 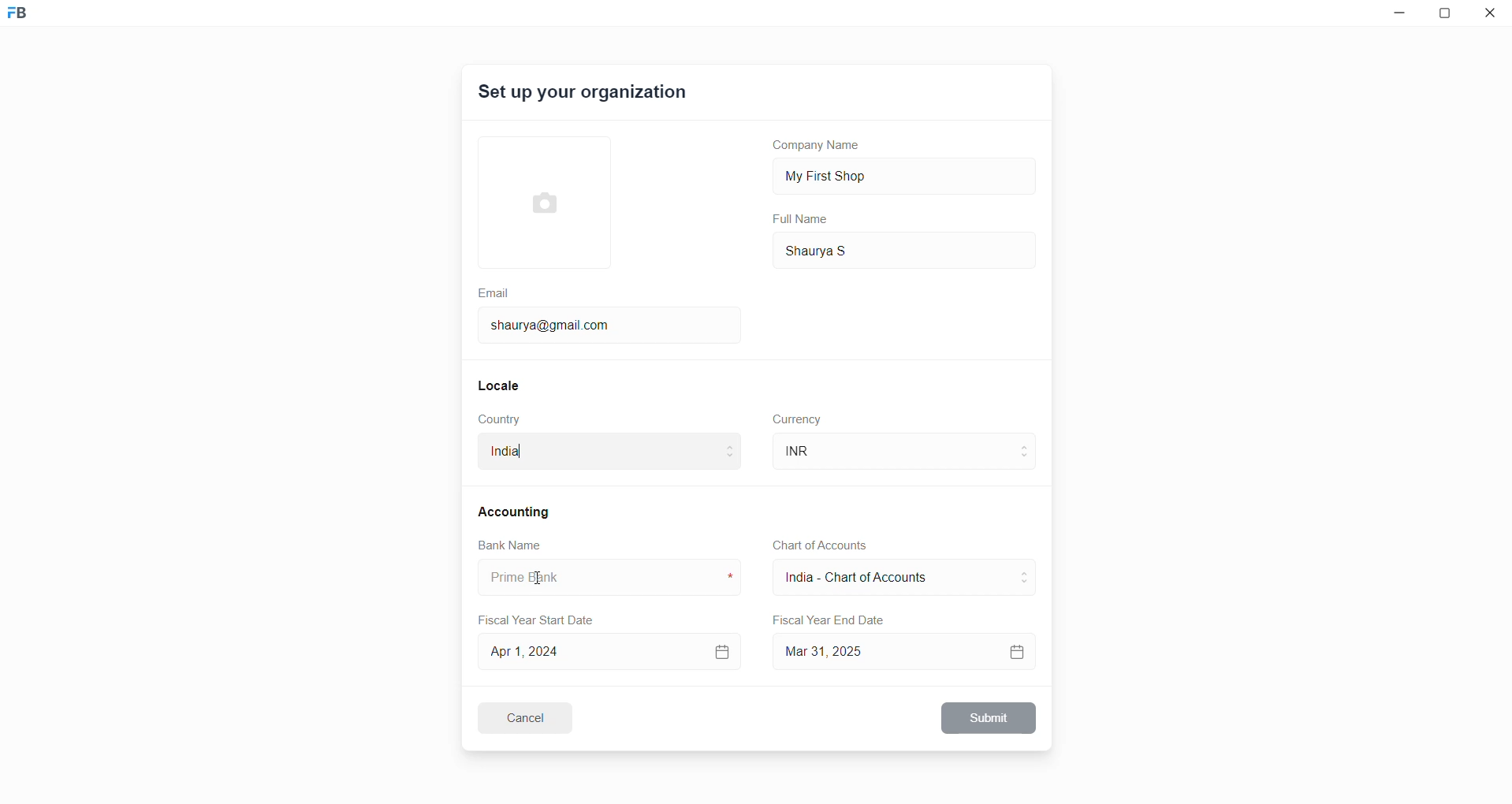 What do you see at coordinates (1028, 460) in the screenshot?
I see `move to below currency` at bounding box center [1028, 460].